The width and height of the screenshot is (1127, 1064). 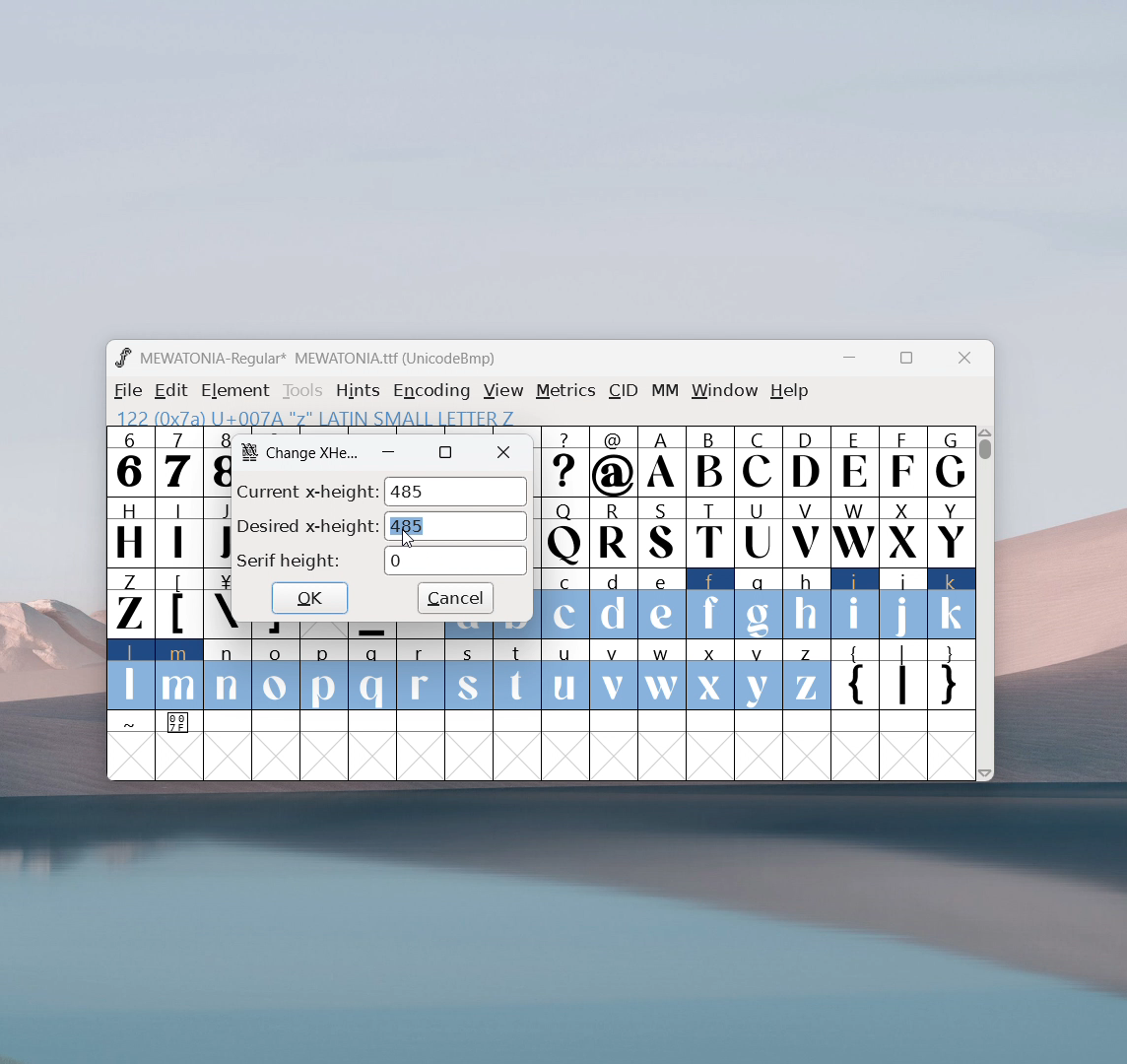 What do you see at coordinates (986, 601) in the screenshot?
I see `Vertical` at bounding box center [986, 601].